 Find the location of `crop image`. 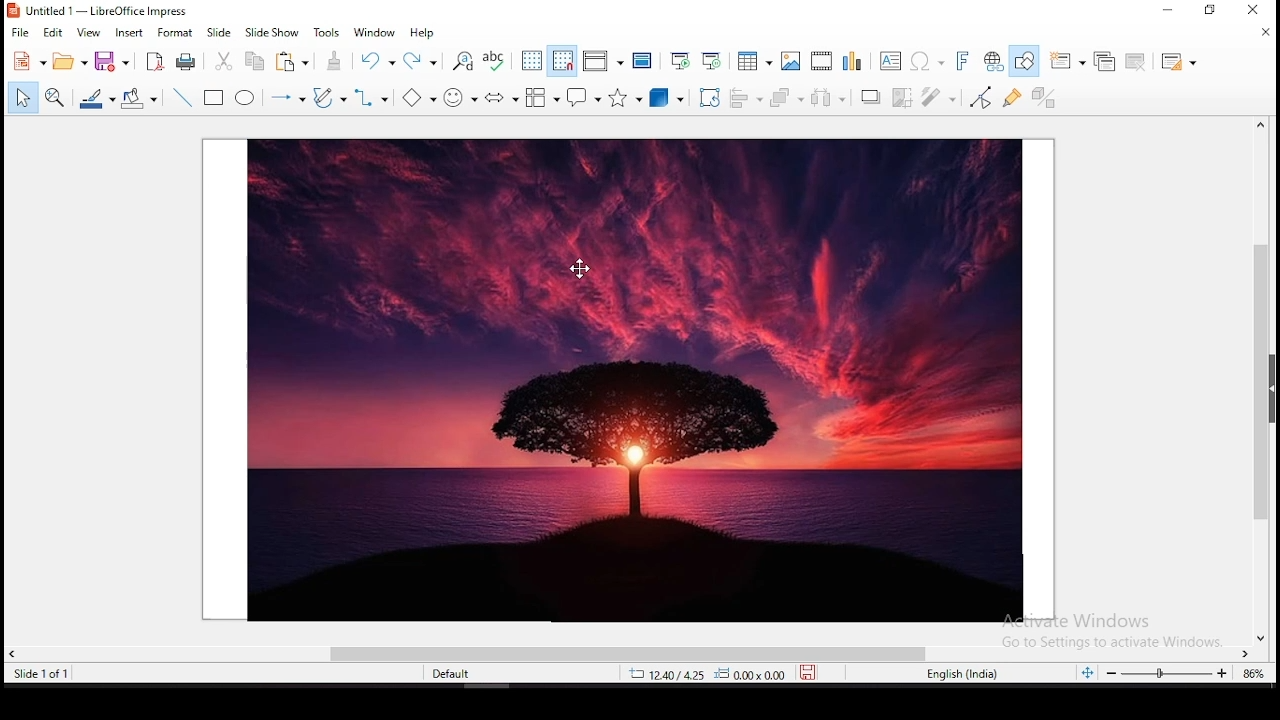

crop image is located at coordinates (904, 98).